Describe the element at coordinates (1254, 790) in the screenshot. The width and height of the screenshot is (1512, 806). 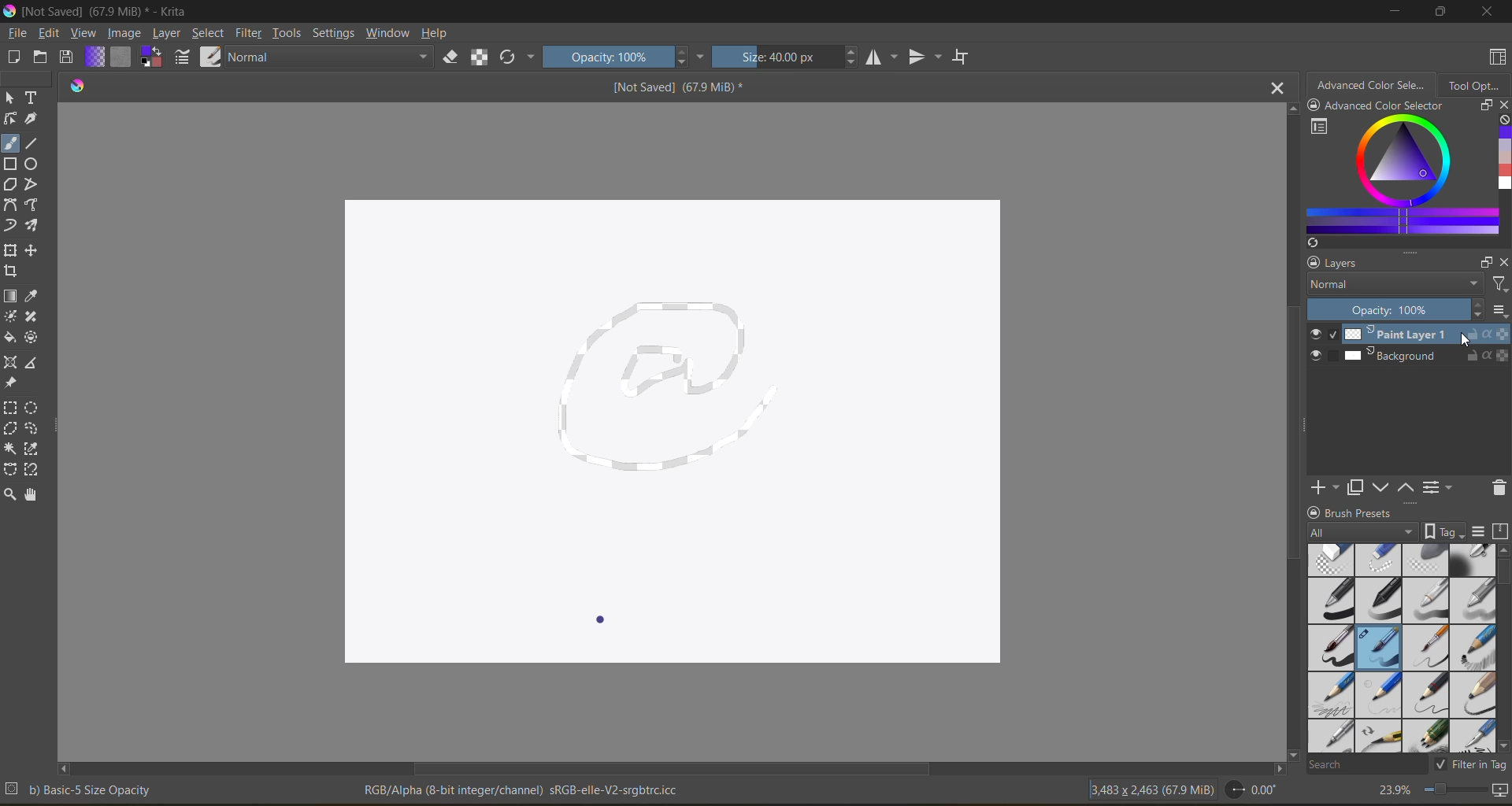
I see `rotate` at that location.